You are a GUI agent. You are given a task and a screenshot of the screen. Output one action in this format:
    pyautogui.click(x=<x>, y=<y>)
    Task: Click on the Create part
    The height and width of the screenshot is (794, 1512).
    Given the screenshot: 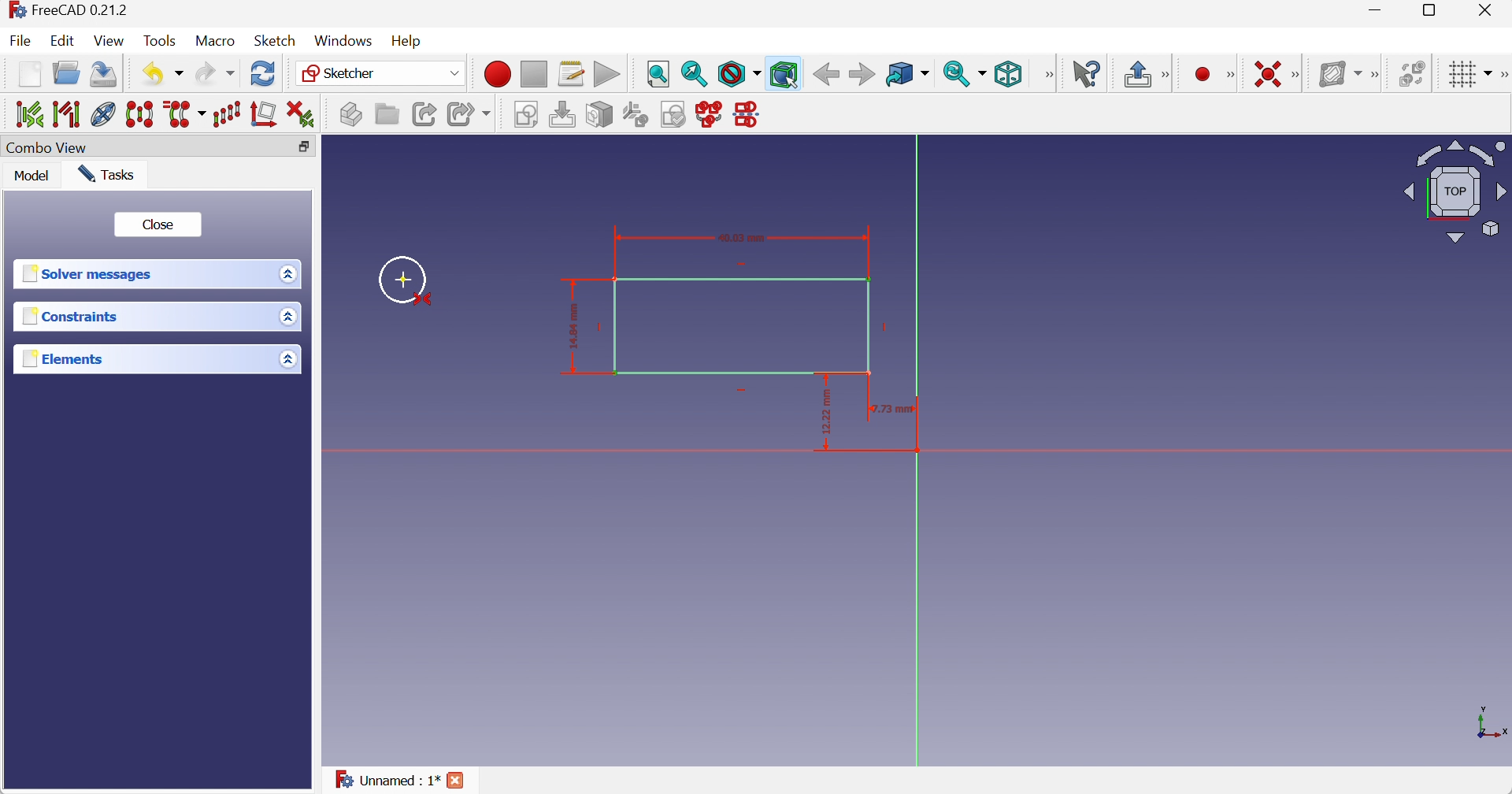 What is the action you would take?
    pyautogui.click(x=350, y=113)
    